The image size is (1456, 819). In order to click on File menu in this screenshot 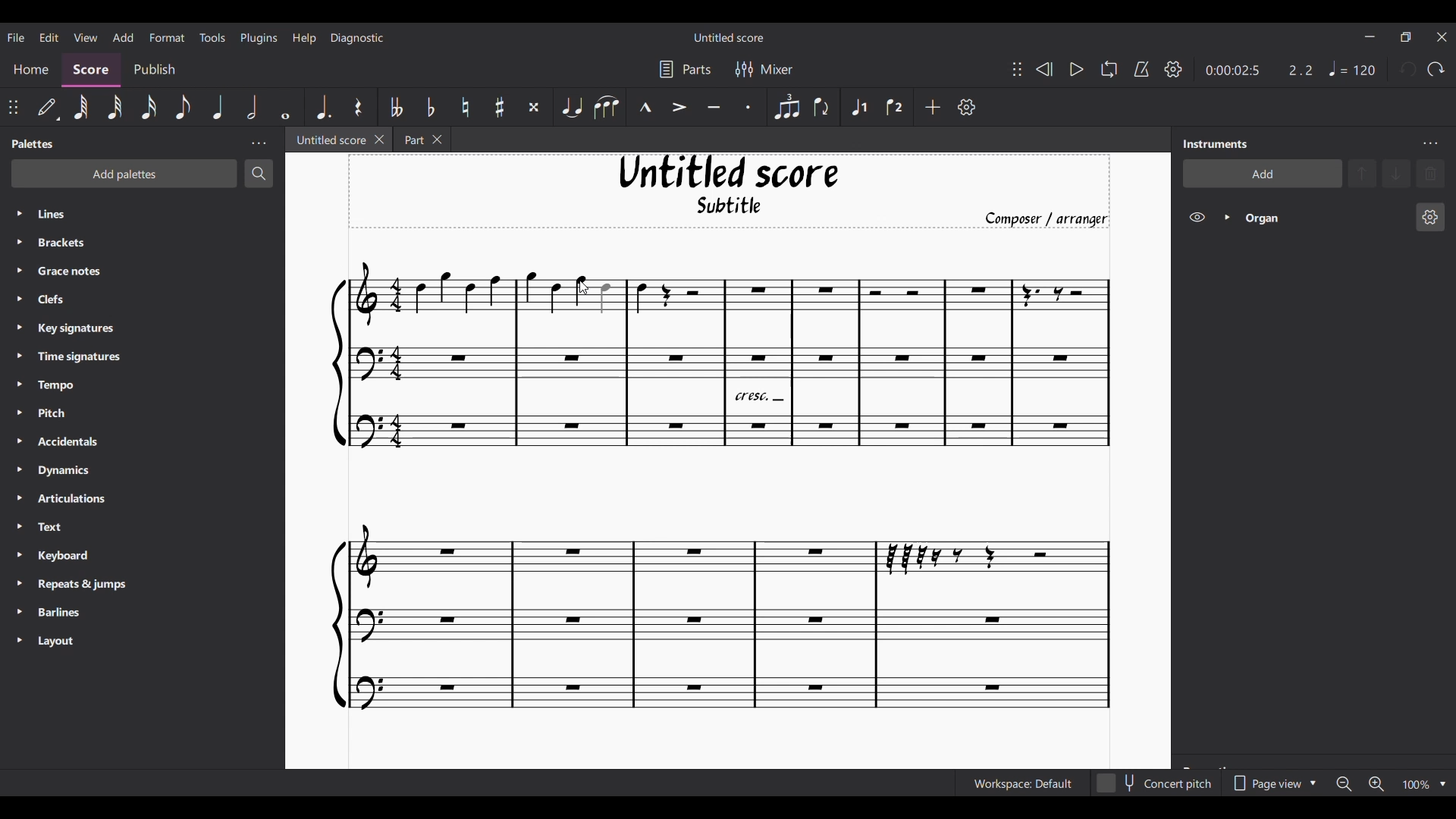, I will do `click(16, 37)`.